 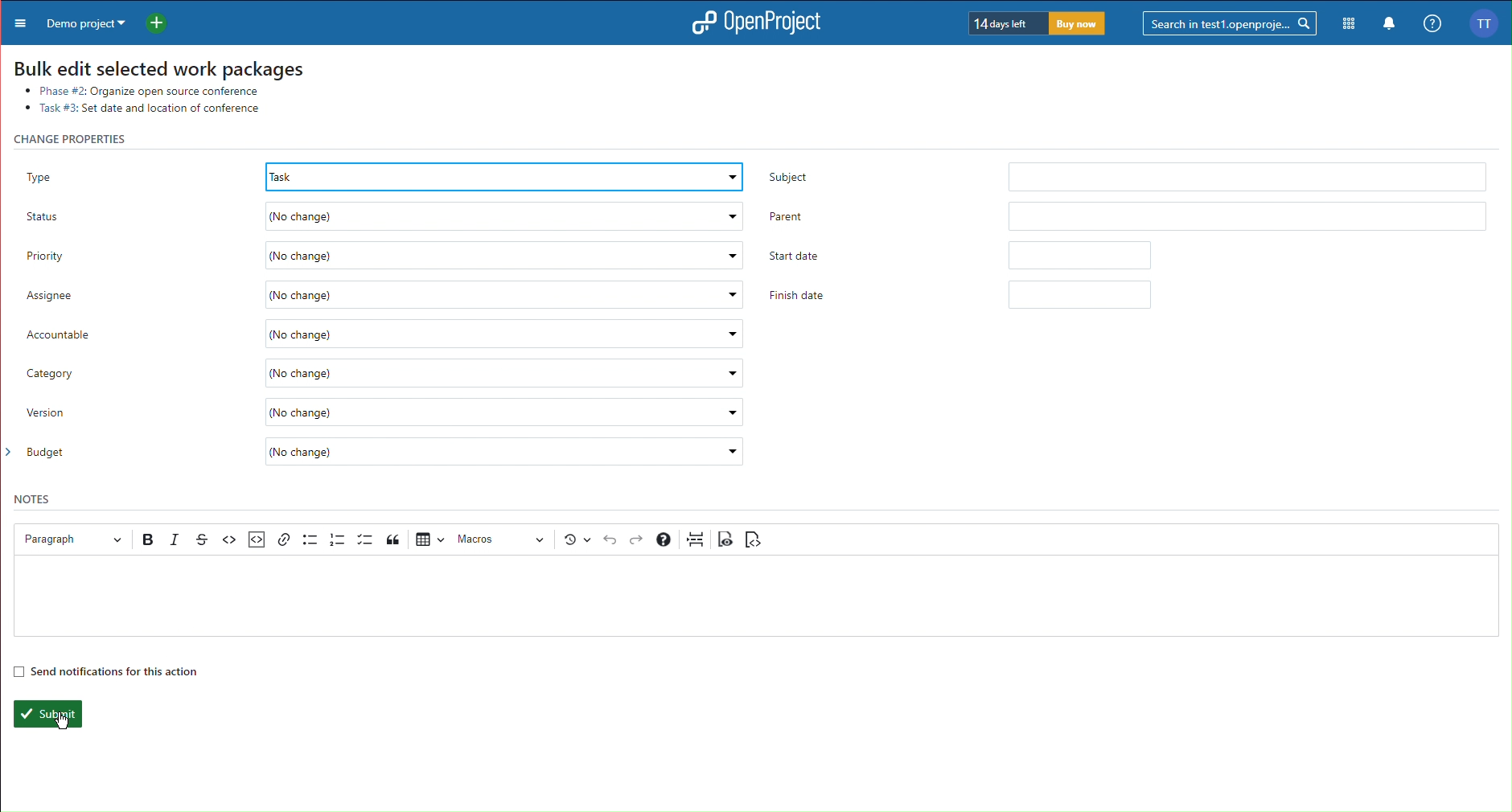 I want to click on Priority, so click(x=380, y=256).